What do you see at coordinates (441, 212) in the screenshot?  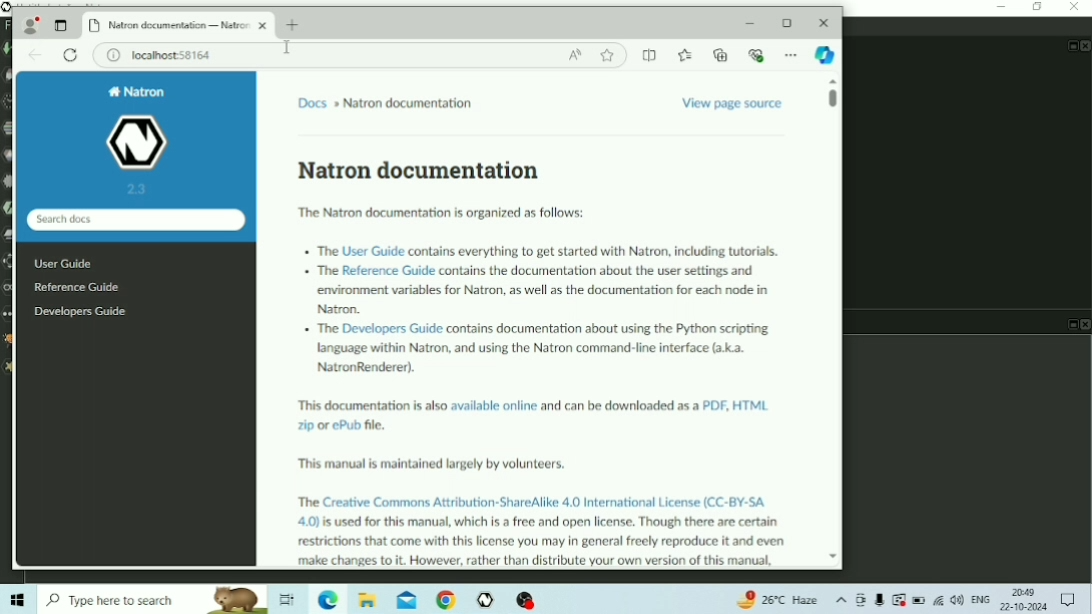 I see `The Natron documentation is organized as follows:` at bounding box center [441, 212].